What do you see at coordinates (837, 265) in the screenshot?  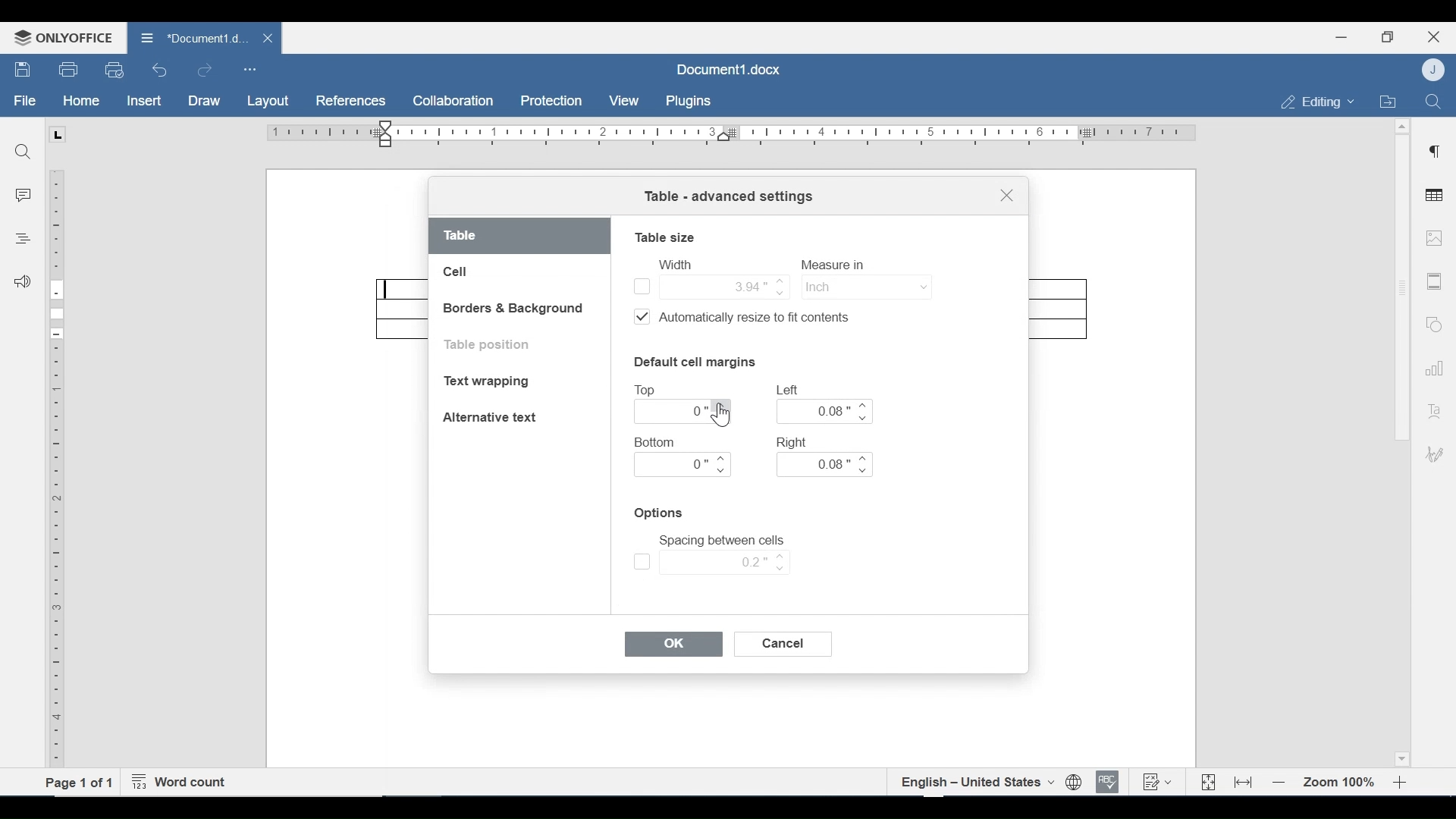 I see `Measure in` at bounding box center [837, 265].